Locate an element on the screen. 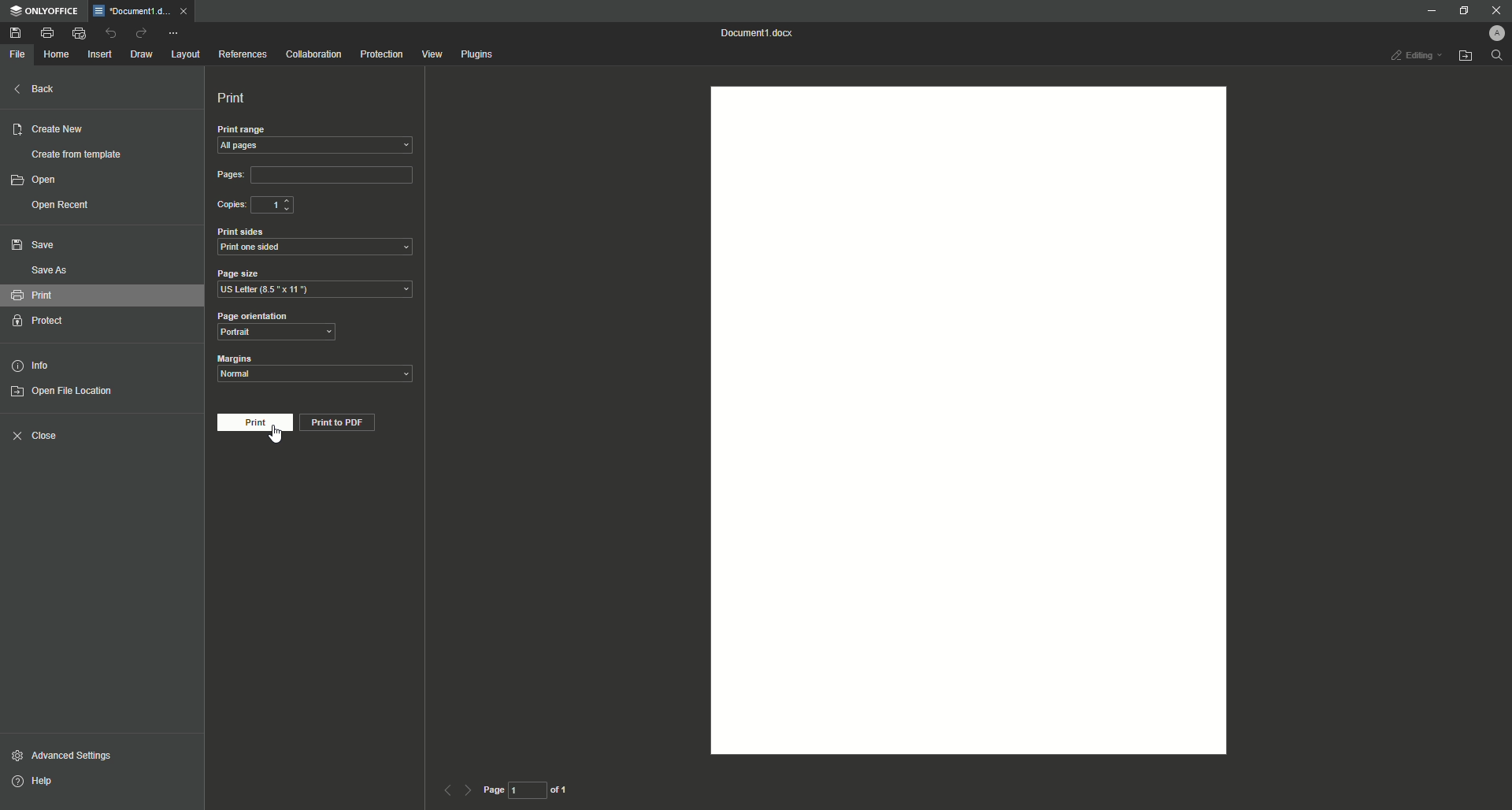  Normal is located at coordinates (317, 376).